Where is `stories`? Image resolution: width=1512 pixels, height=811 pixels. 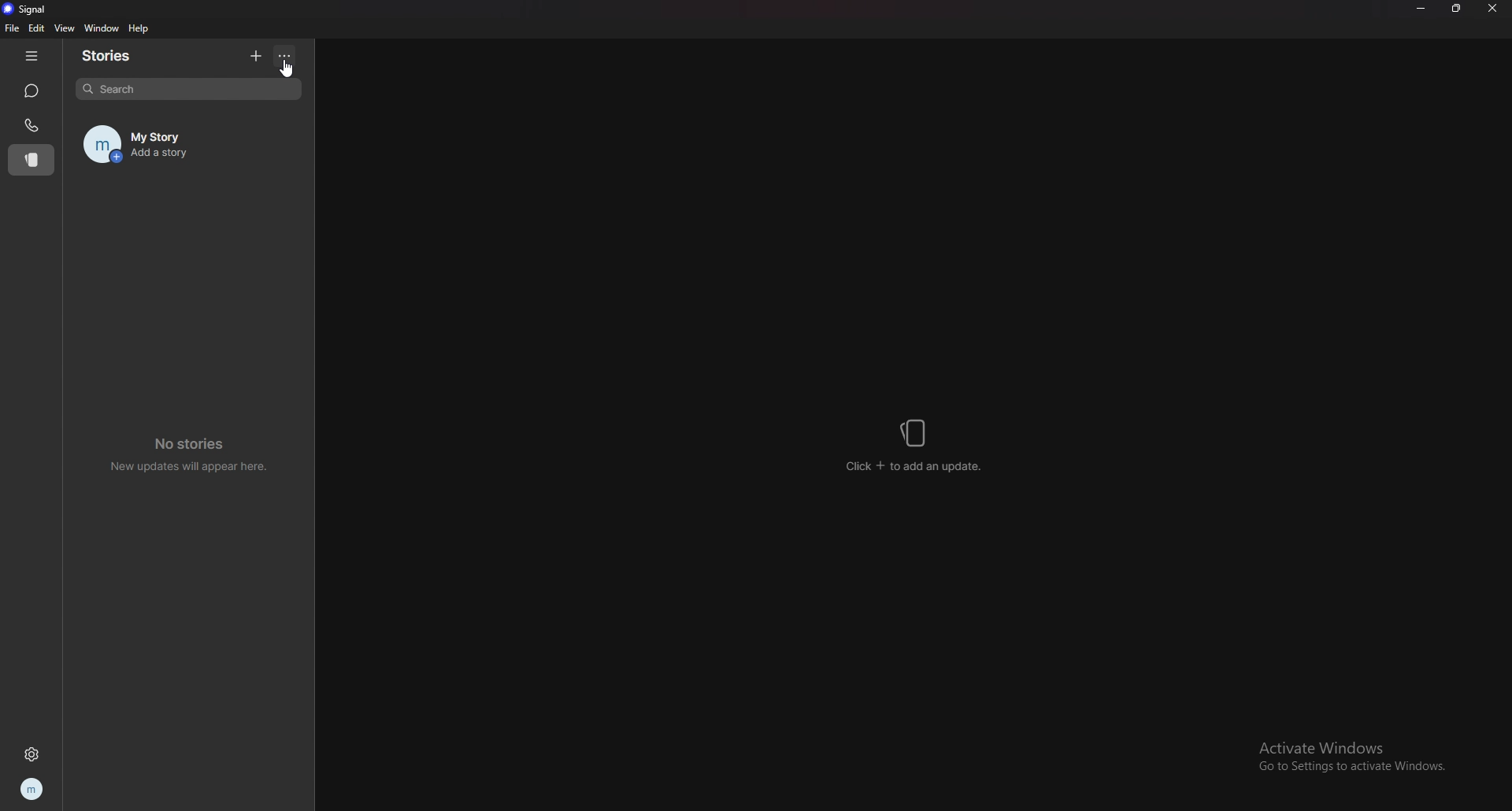
stories is located at coordinates (120, 56).